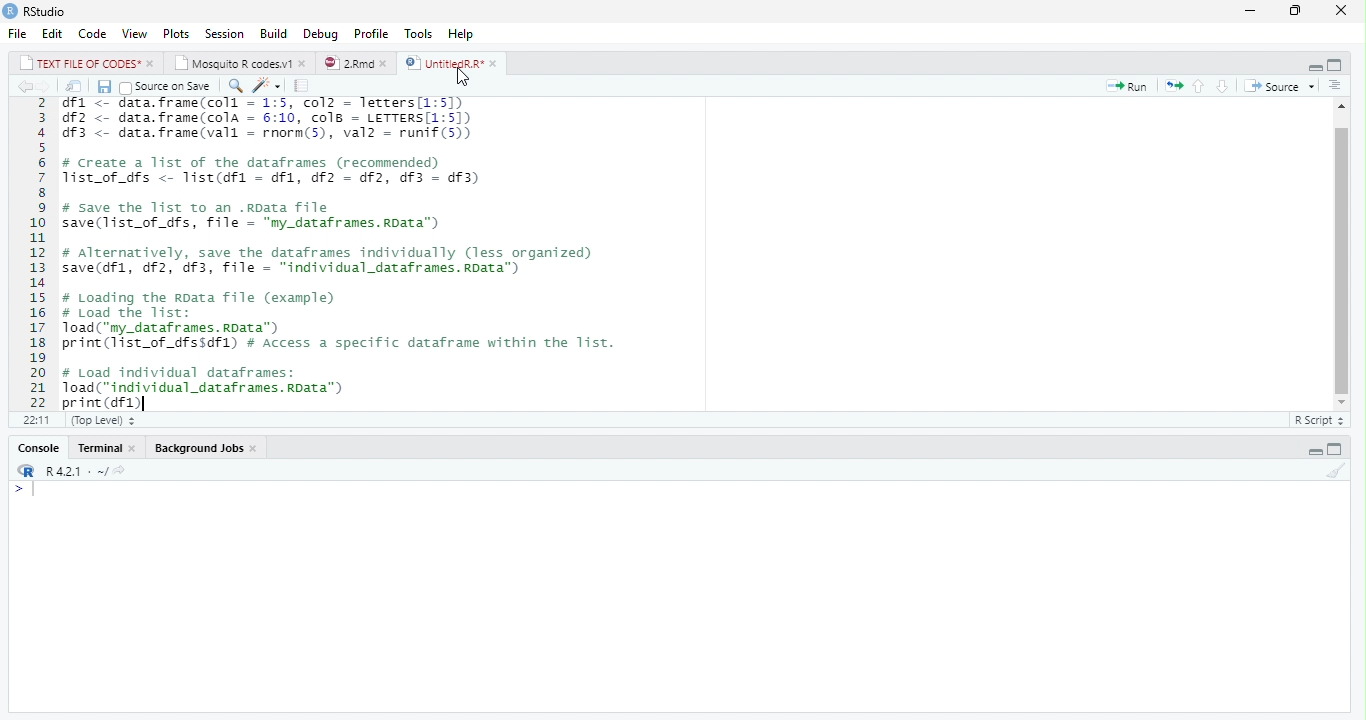 The image size is (1366, 720). Describe the element at coordinates (463, 78) in the screenshot. I see `Mouse Cursor` at that location.